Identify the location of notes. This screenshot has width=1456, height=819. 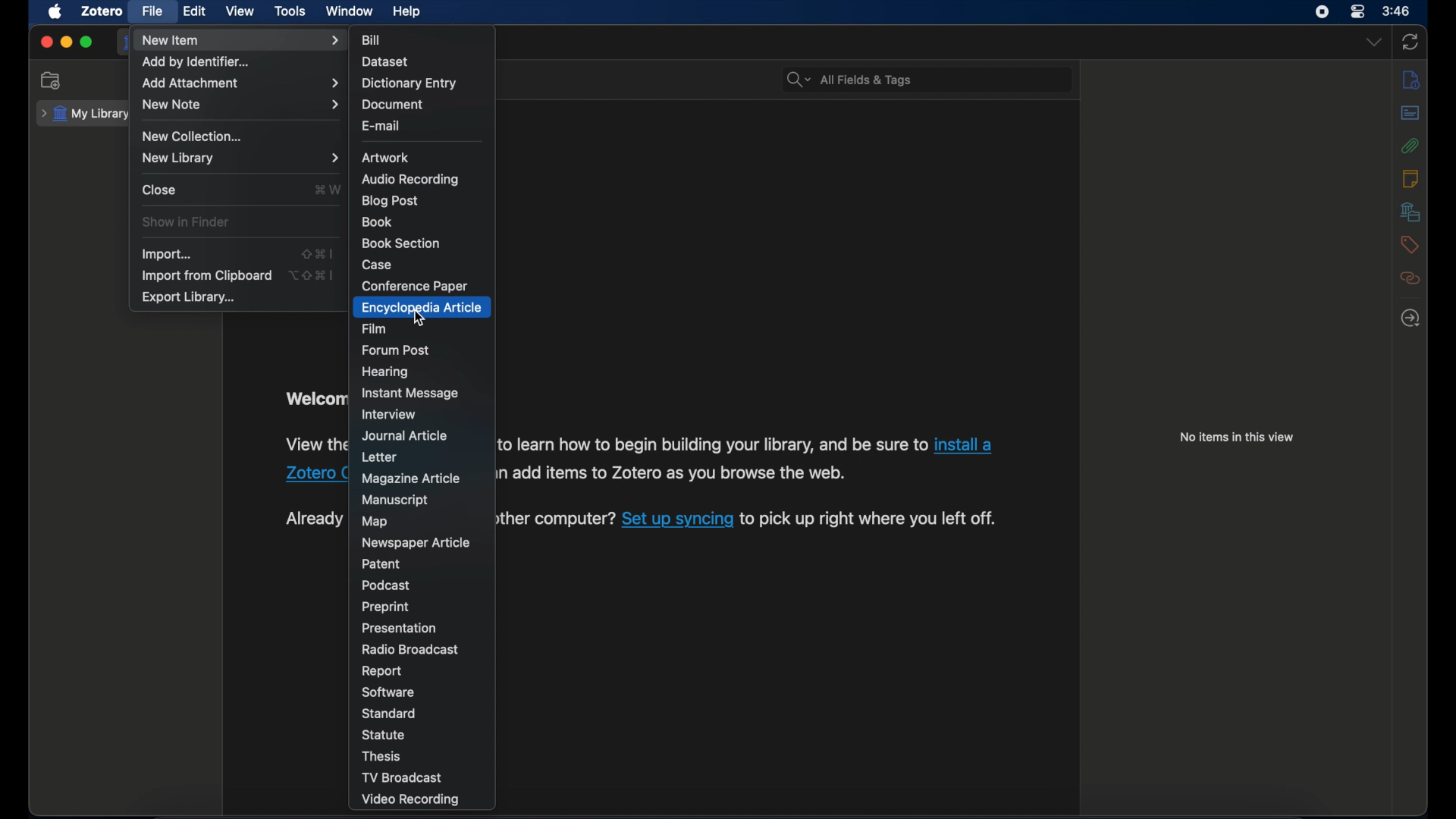
(1410, 177).